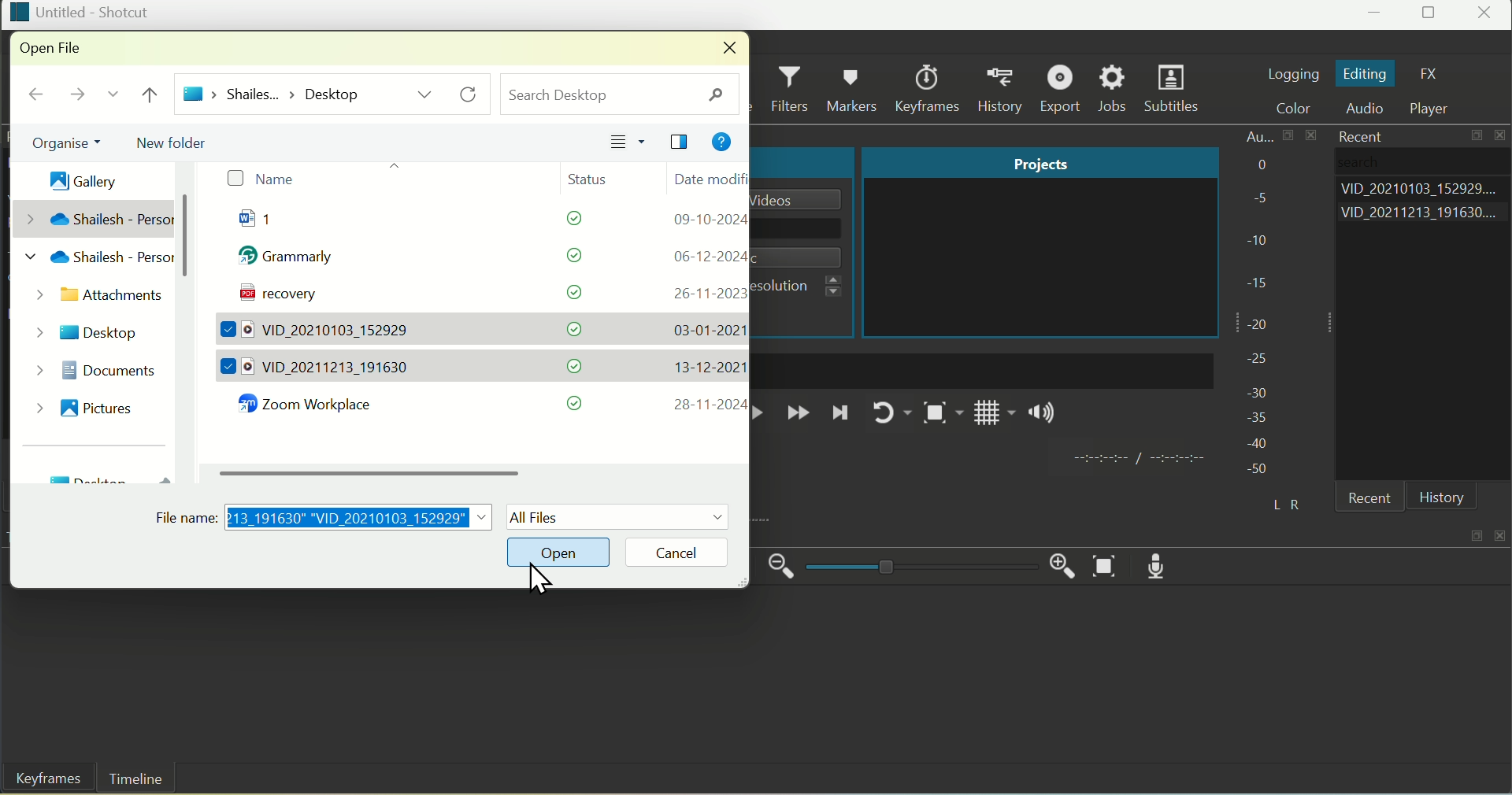 This screenshot has width=1512, height=795. Describe the element at coordinates (798, 414) in the screenshot. I see `Forward` at that location.